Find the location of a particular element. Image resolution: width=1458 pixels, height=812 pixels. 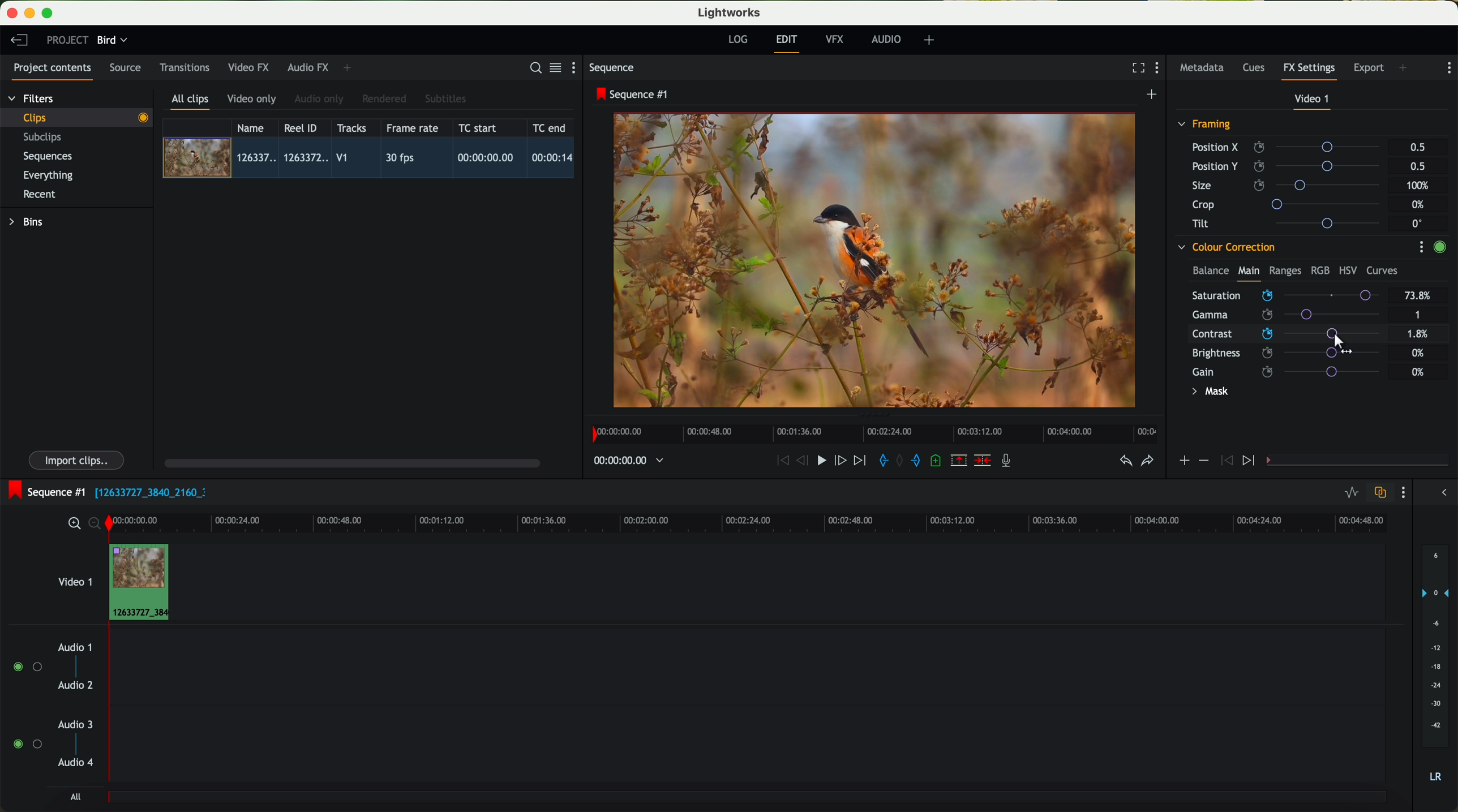

subclips is located at coordinates (45, 138).